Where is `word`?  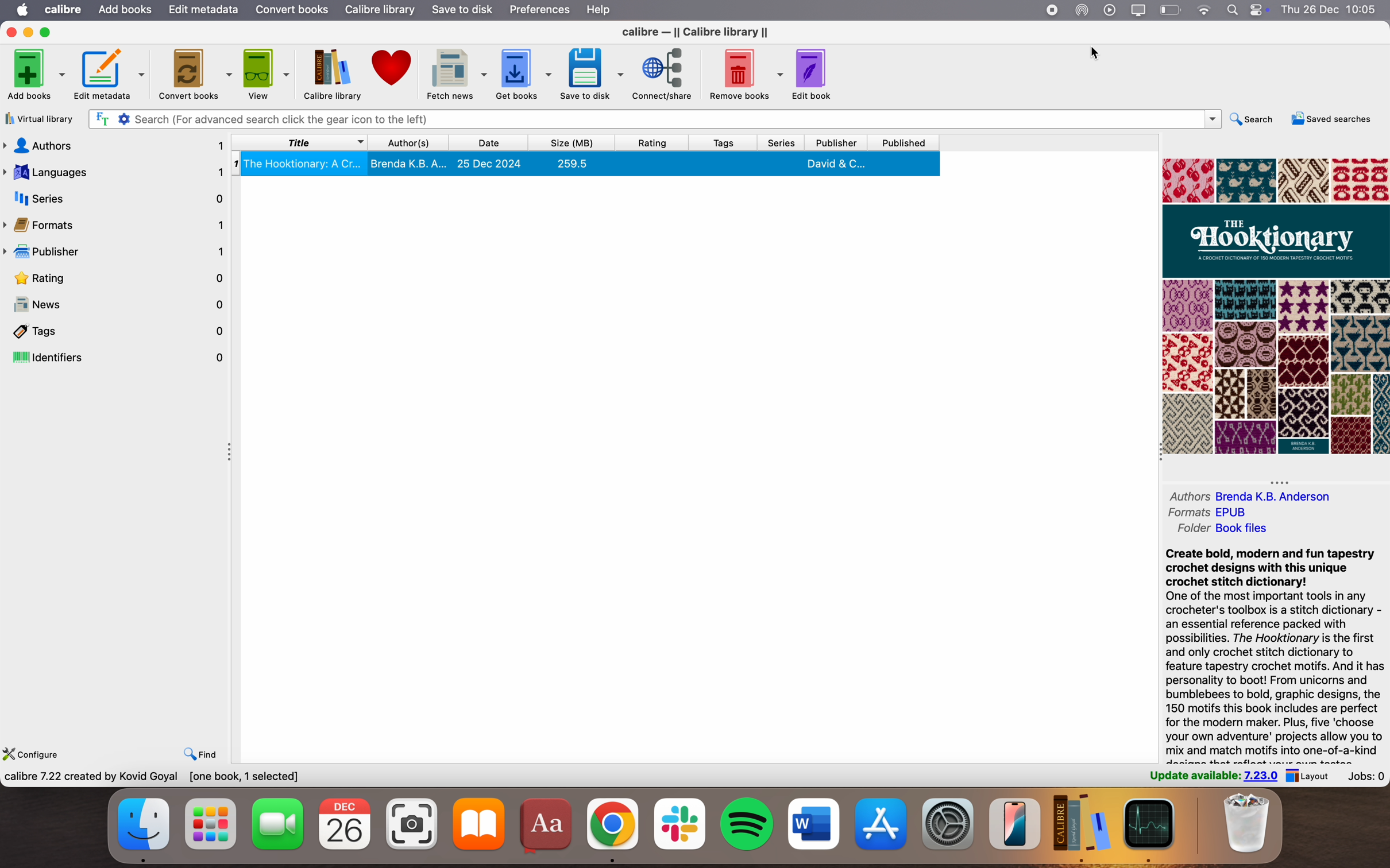
word is located at coordinates (812, 819).